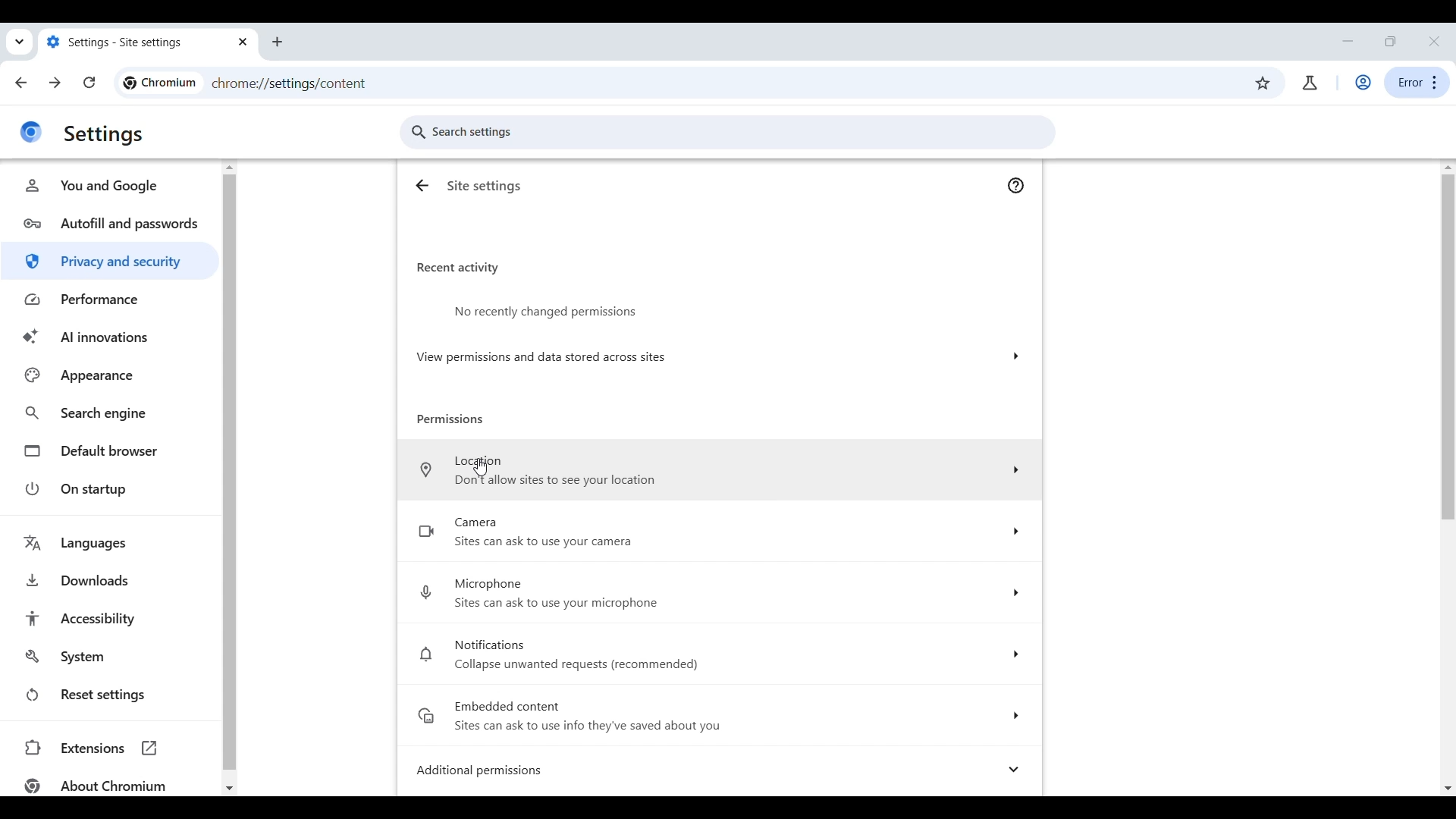 This screenshot has width=1456, height=819. I want to click on View permissions and data stored across sites, so click(719, 356).